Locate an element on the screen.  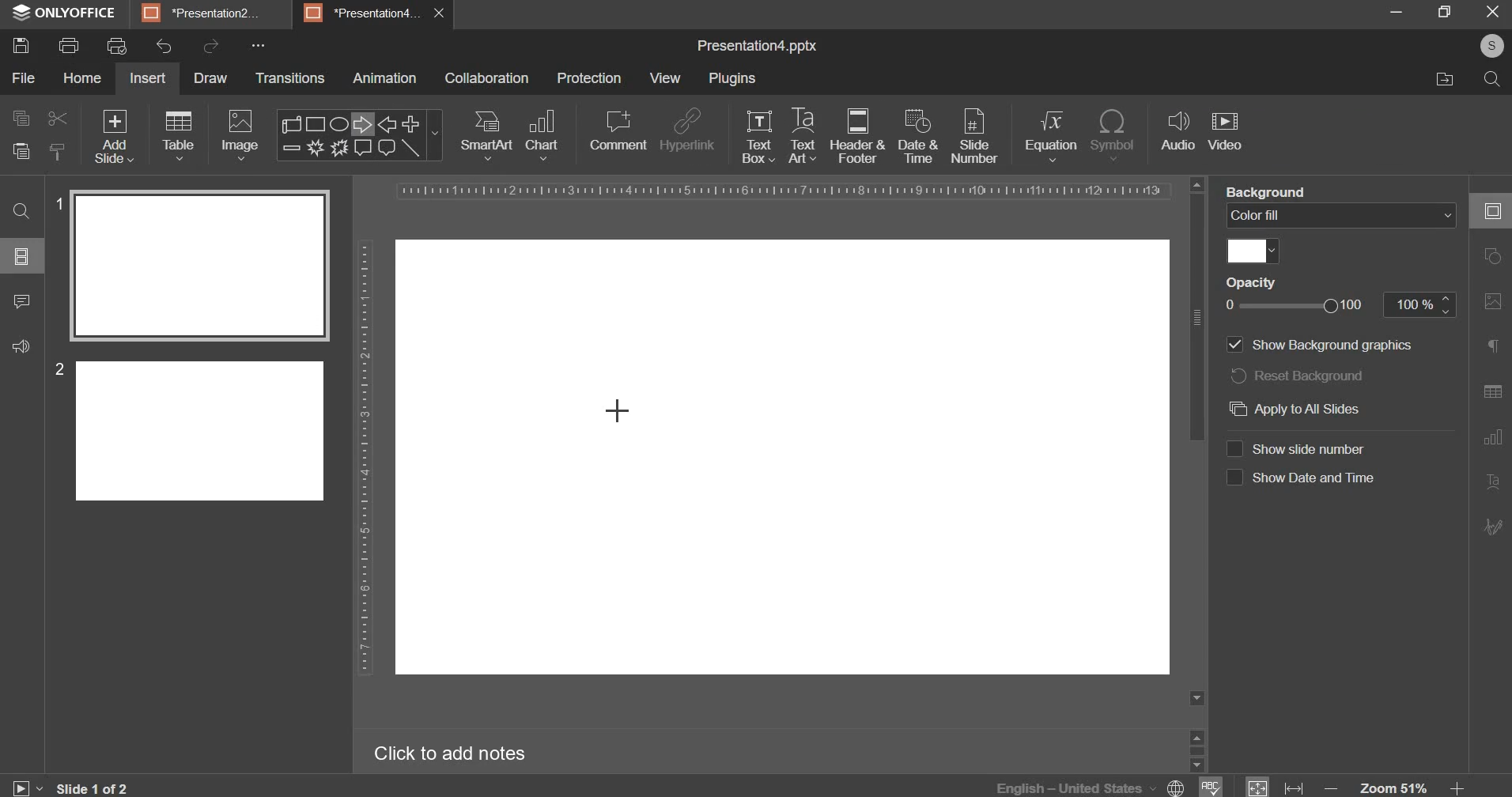
 is located at coordinates (1236, 282).